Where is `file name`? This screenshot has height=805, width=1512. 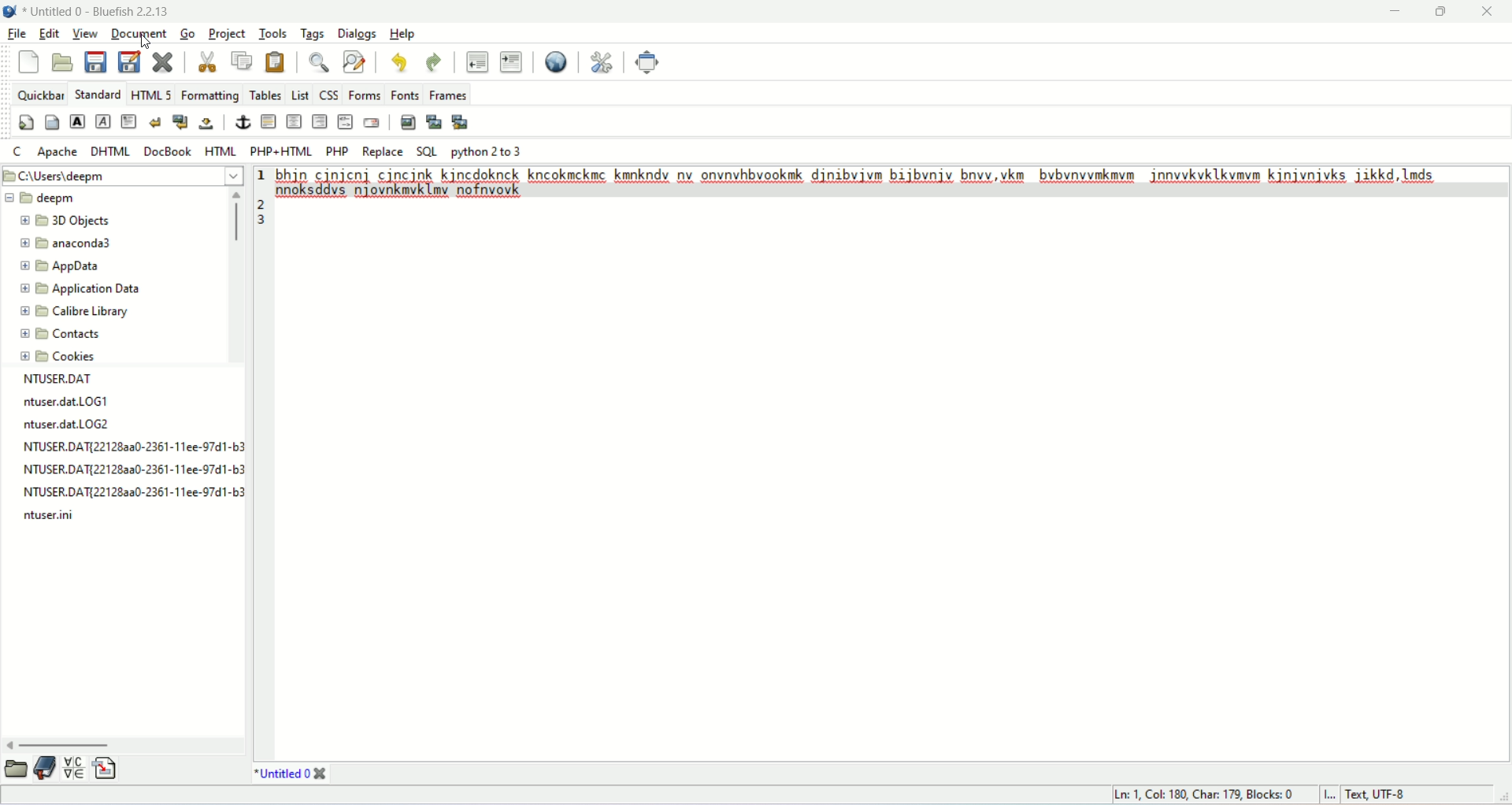 file name is located at coordinates (131, 491).